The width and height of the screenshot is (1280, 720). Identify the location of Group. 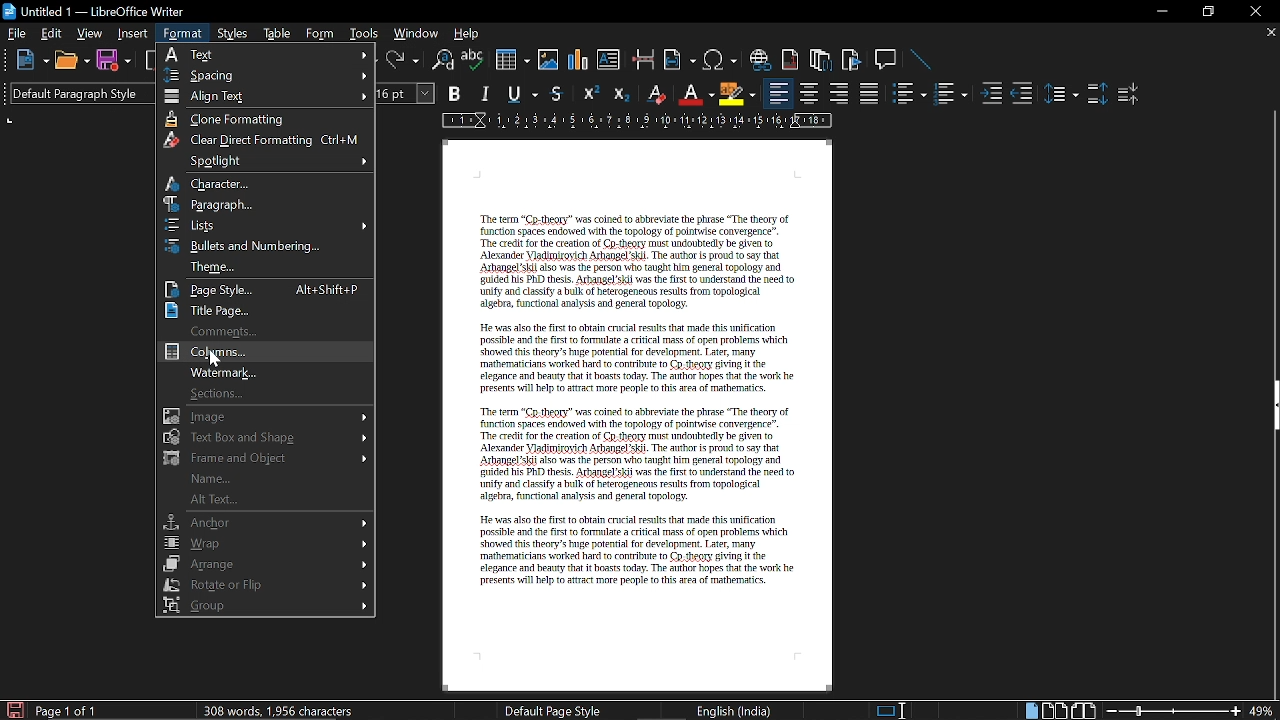
(263, 605).